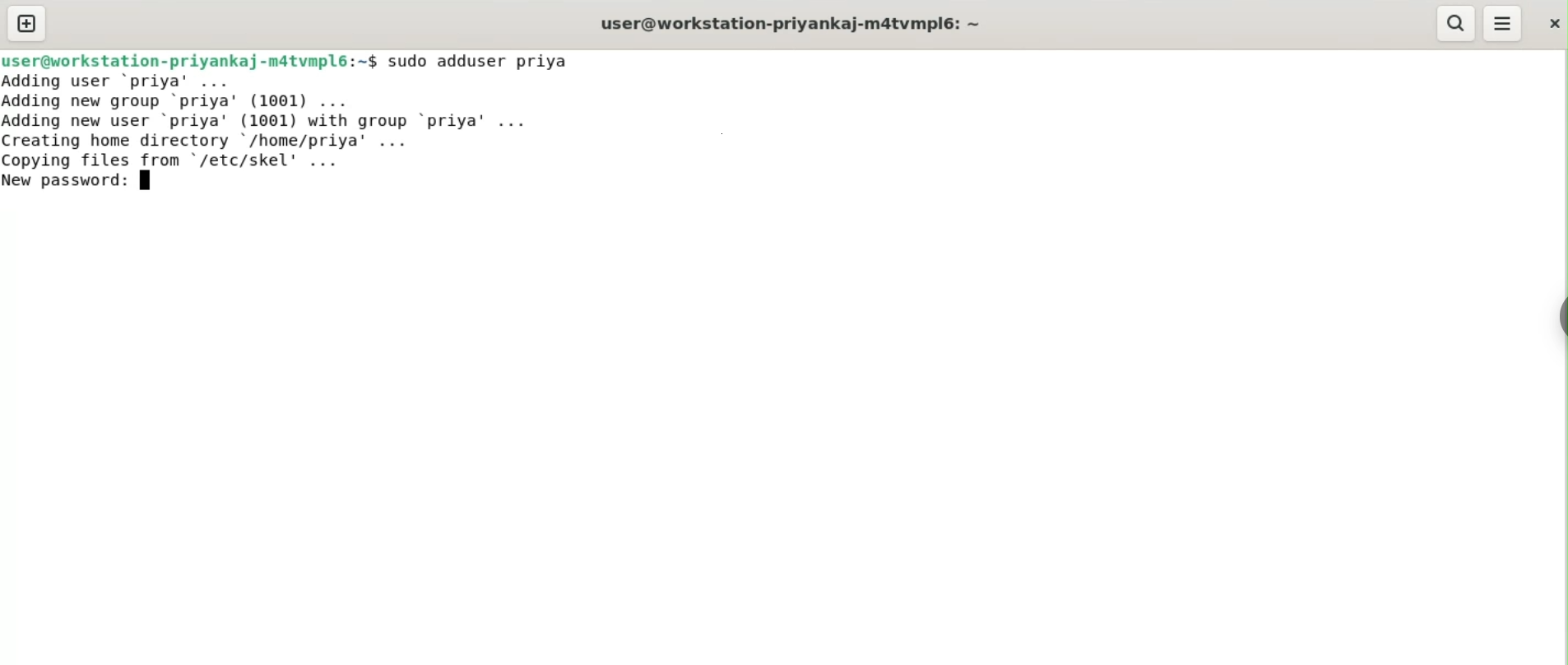 The height and width of the screenshot is (665, 1568). What do you see at coordinates (27, 23) in the screenshot?
I see `new tab` at bounding box center [27, 23].